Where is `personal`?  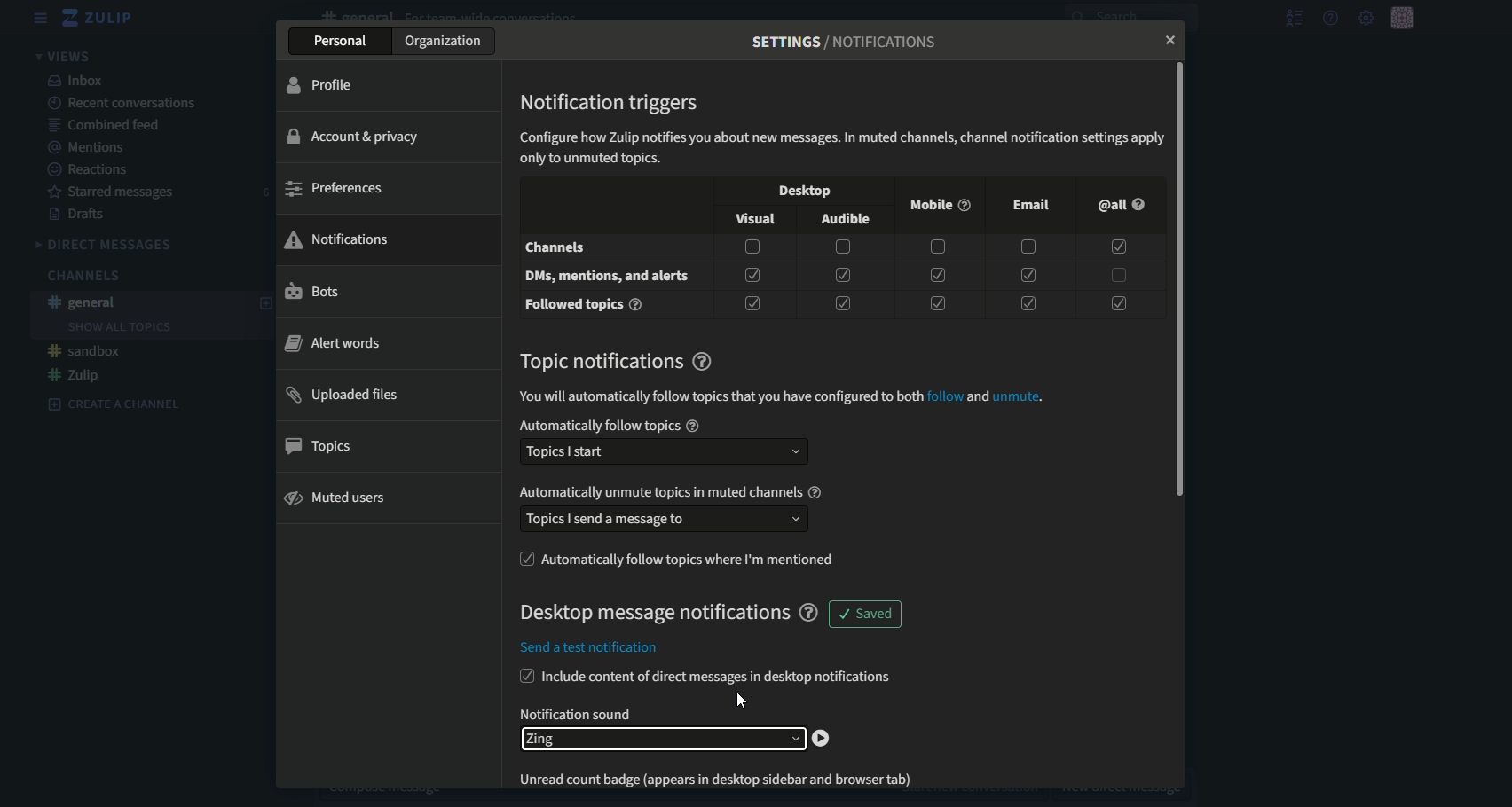
personal is located at coordinates (341, 43).